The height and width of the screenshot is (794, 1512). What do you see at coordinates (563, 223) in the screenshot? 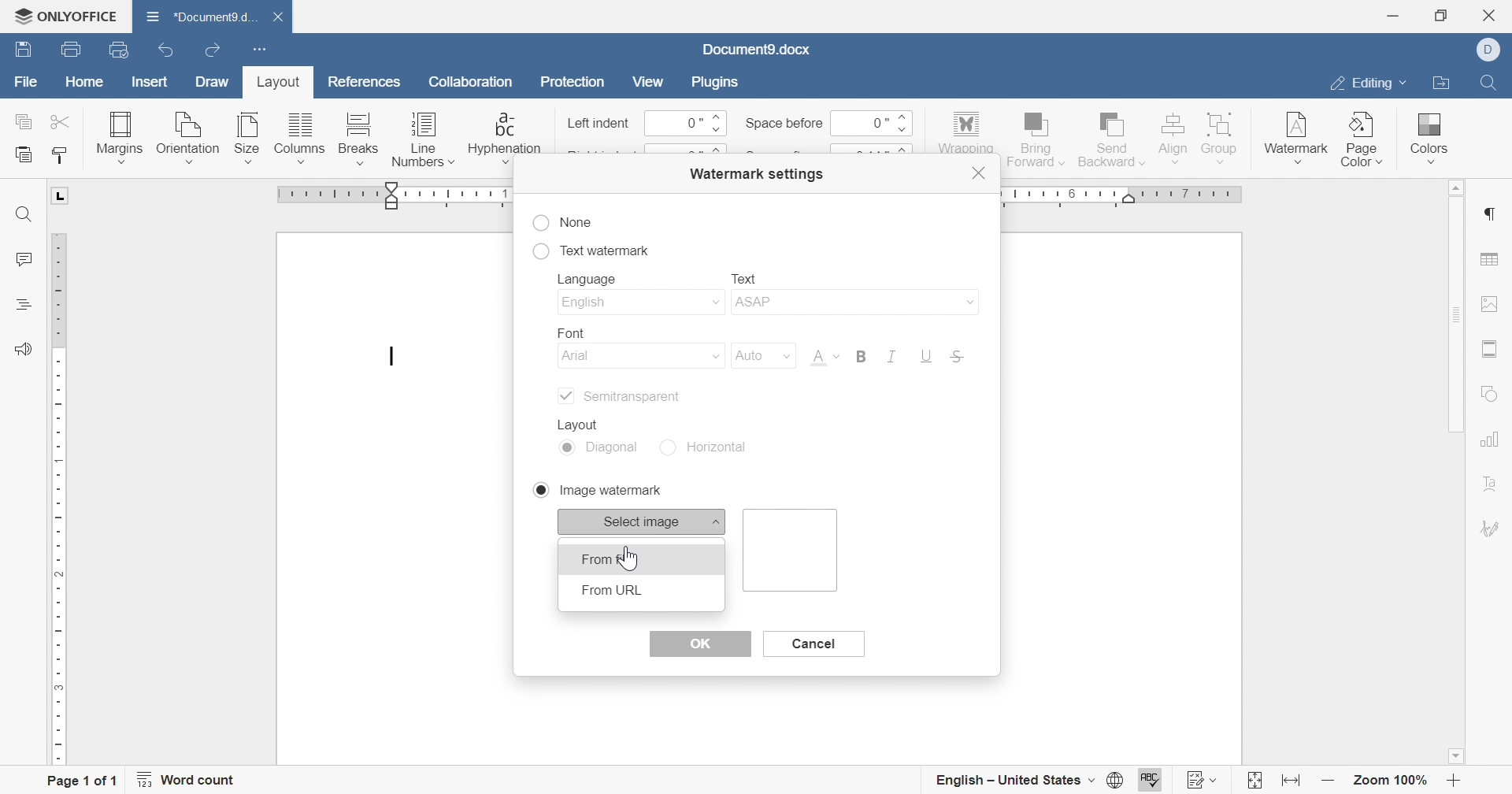
I see `none` at bounding box center [563, 223].